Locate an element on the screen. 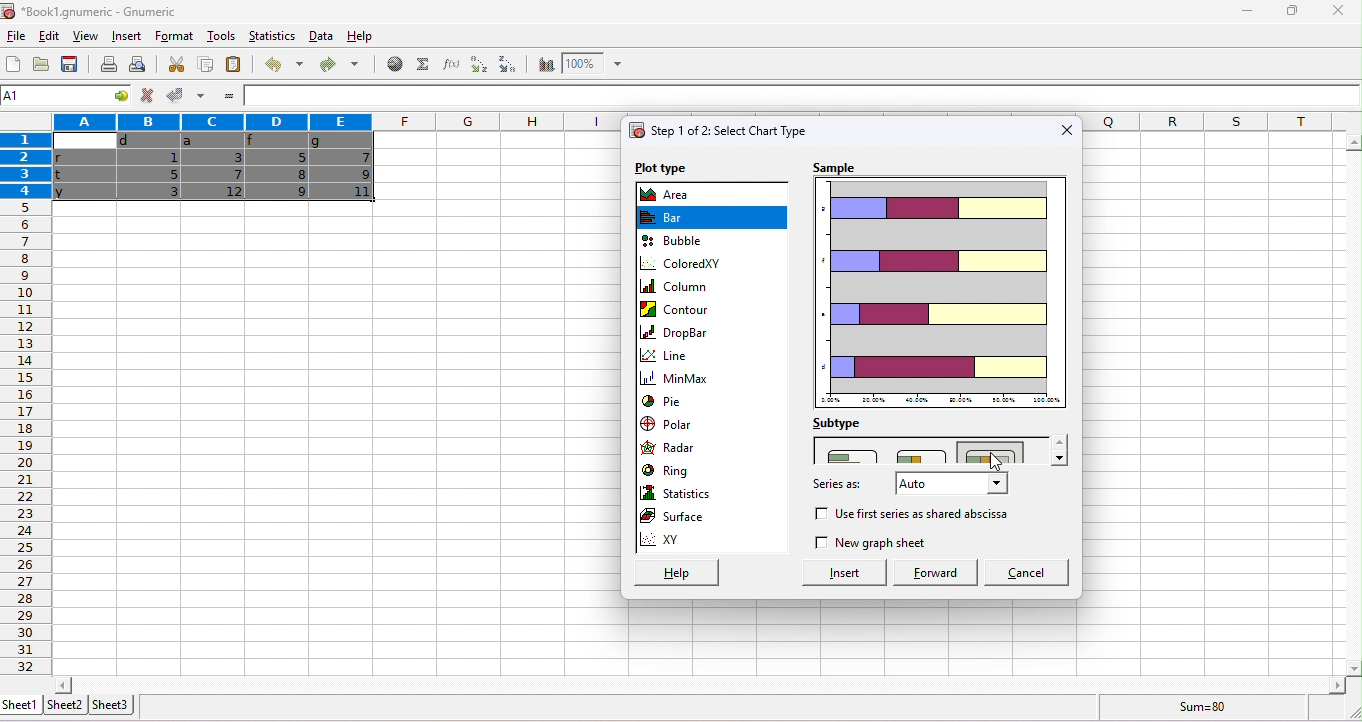 Image resolution: width=1362 pixels, height=722 pixels. print preview is located at coordinates (141, 64).